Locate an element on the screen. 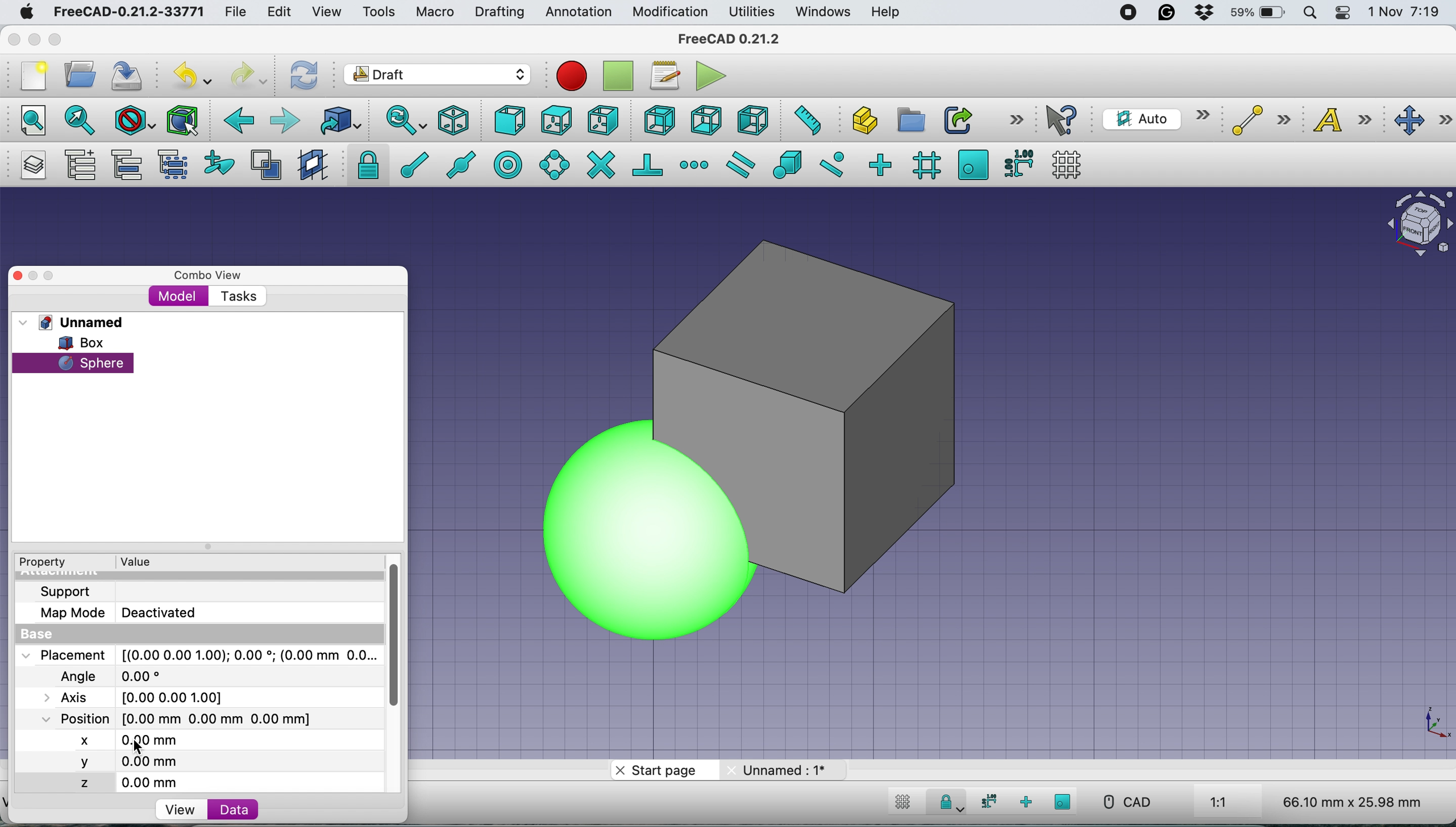  move group is located at coordinates (130, 165).